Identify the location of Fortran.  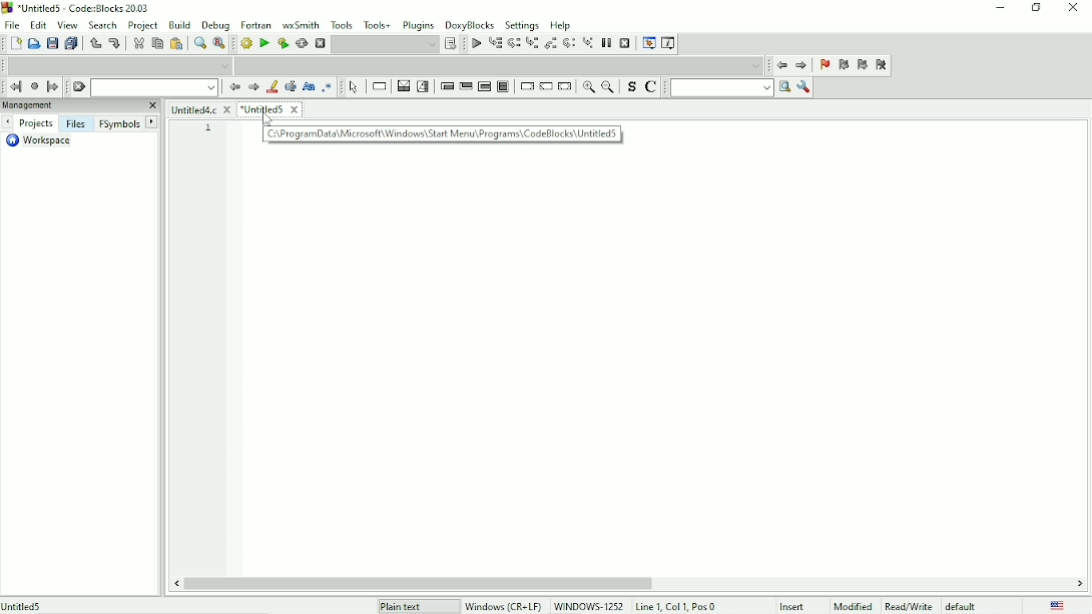
(256, 26).